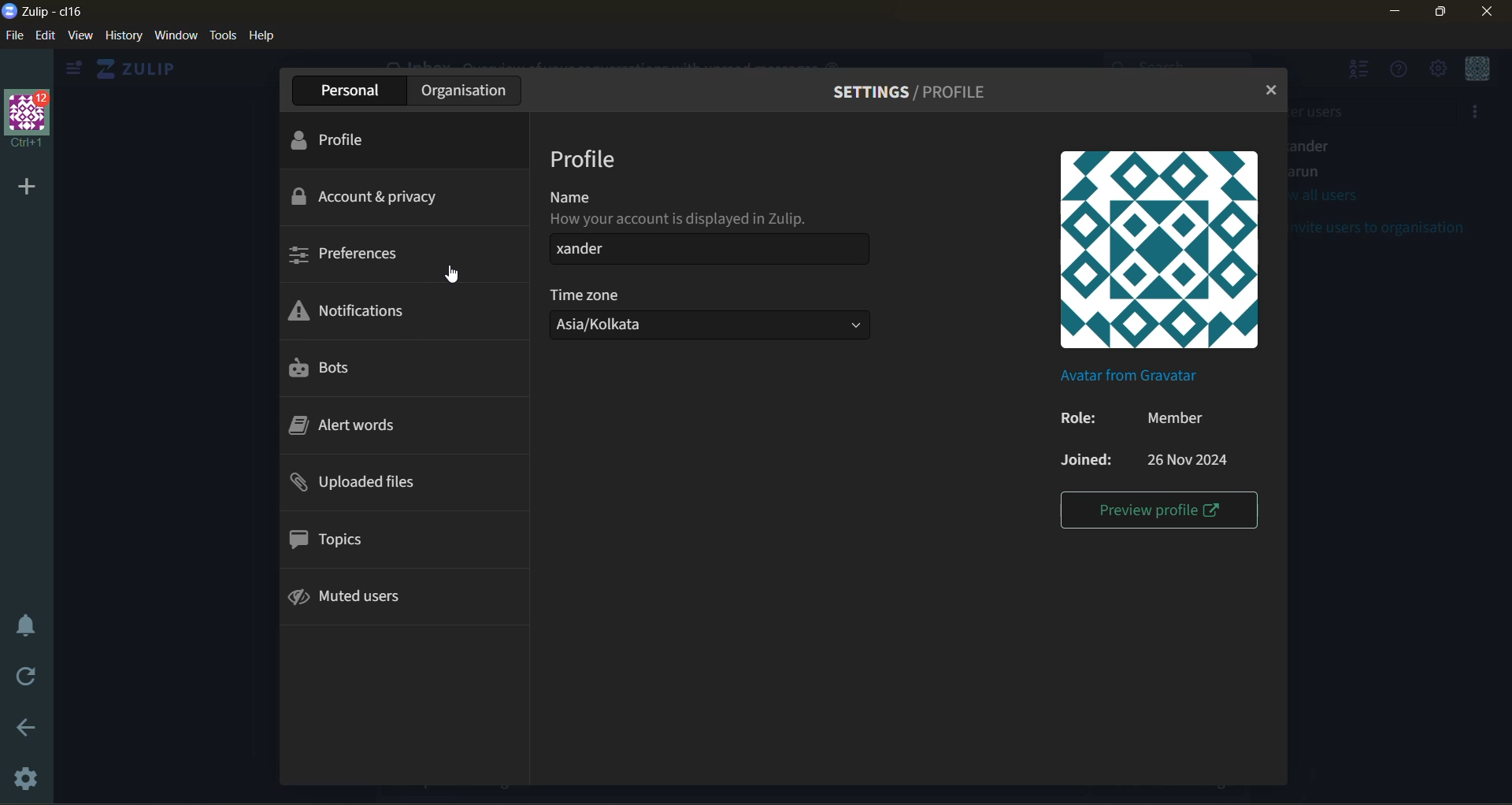 This screenshot has height=805, width=1512. I want to click on time zone, so click(718, 314).